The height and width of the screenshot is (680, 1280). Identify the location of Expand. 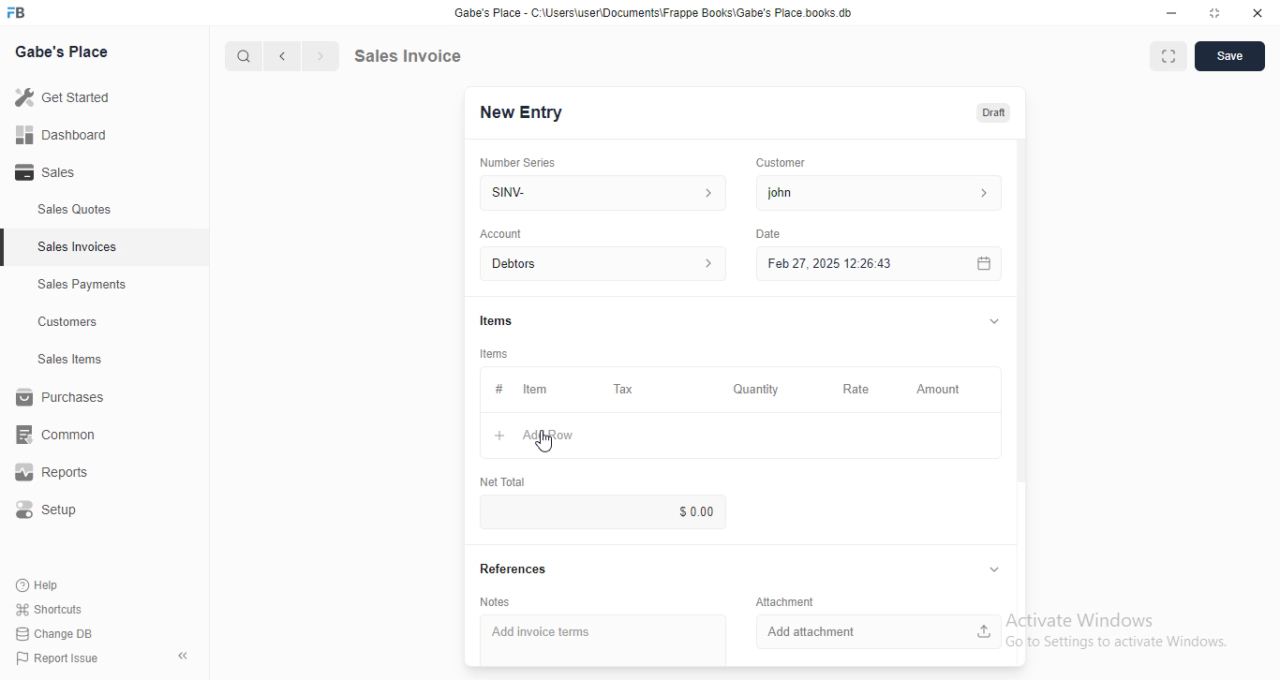
(1168, 56).